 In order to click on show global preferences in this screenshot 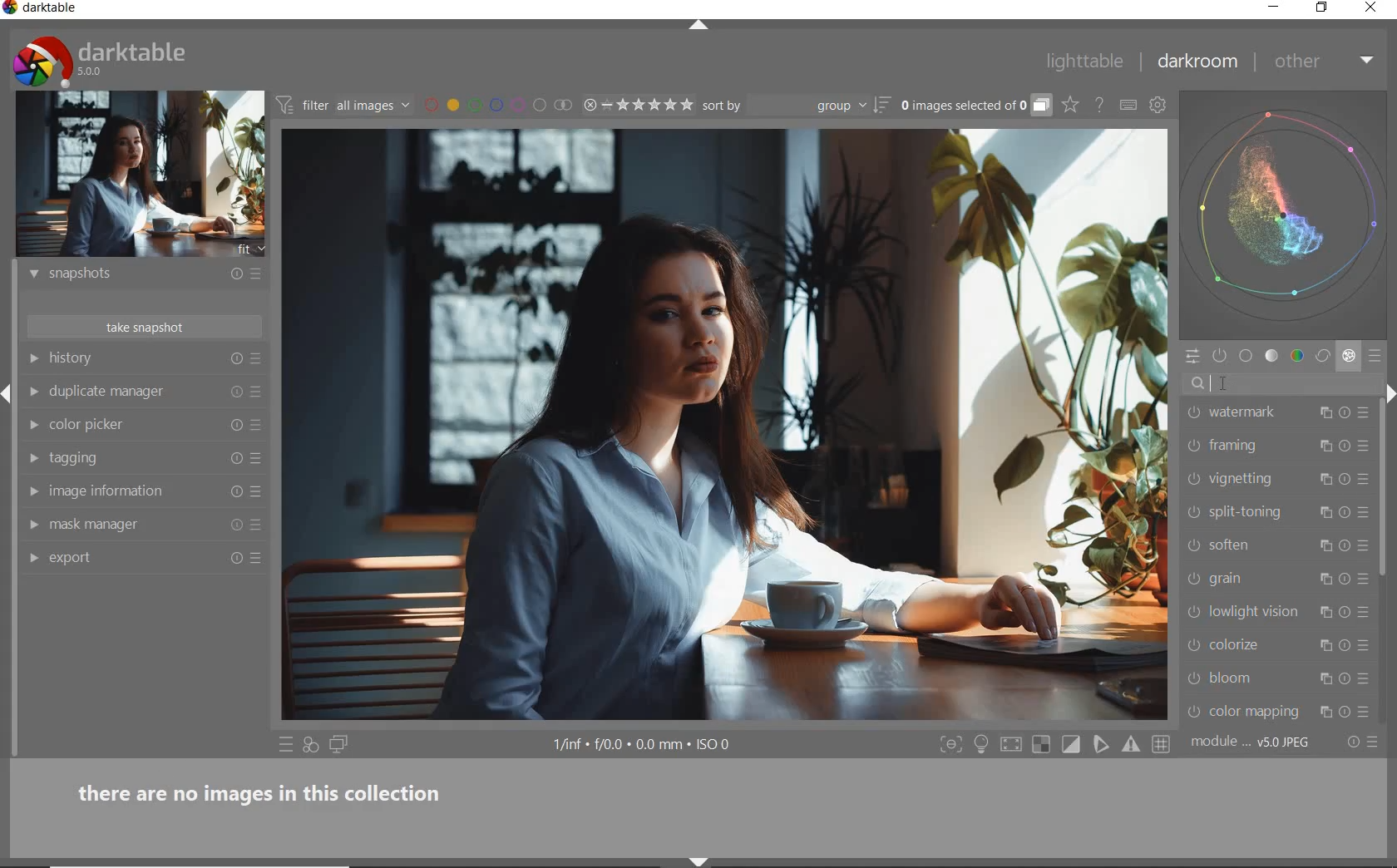, I will do `click(1158, 107)`.